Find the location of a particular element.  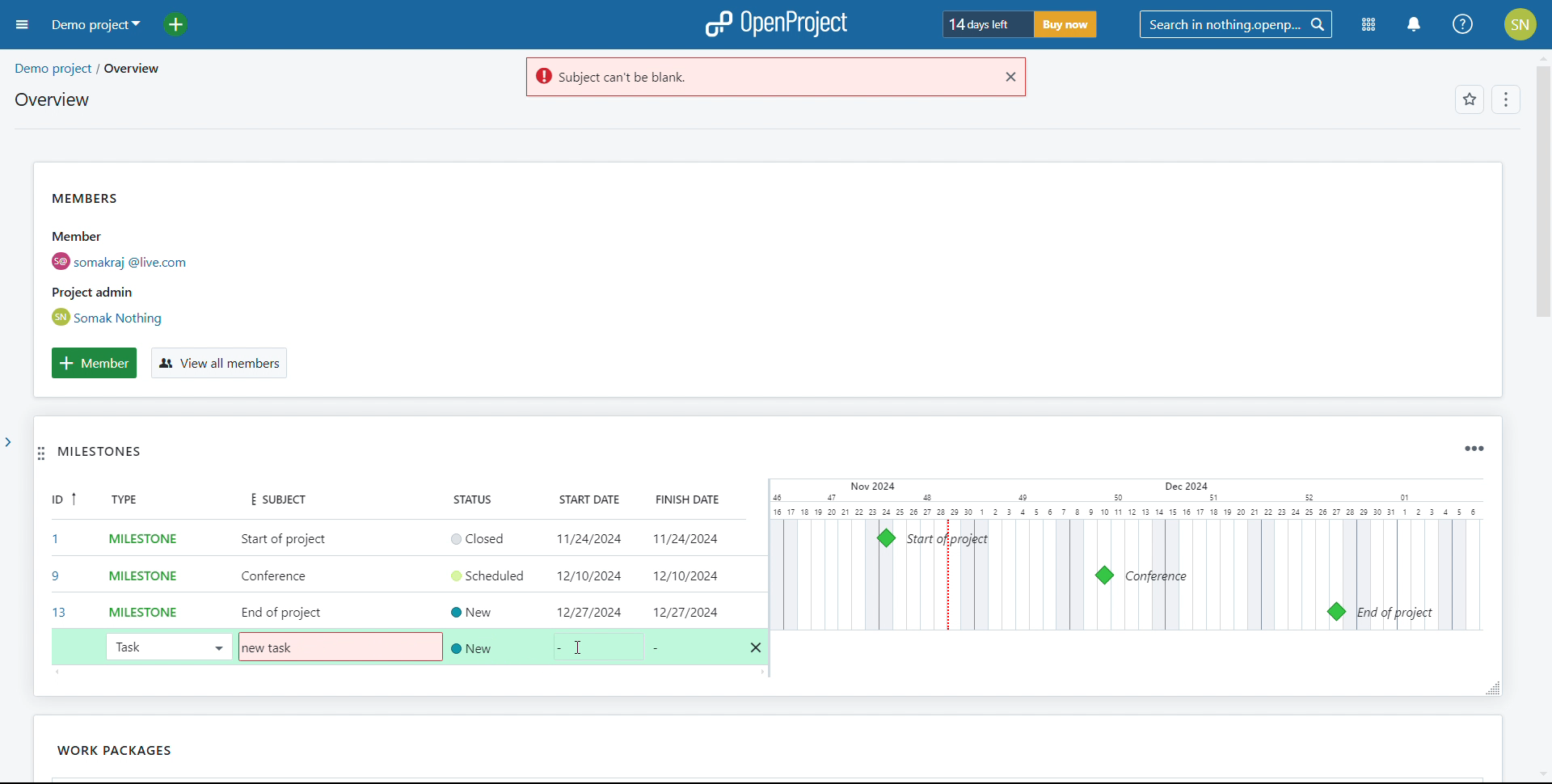

status is located at coordinates (483, 499).